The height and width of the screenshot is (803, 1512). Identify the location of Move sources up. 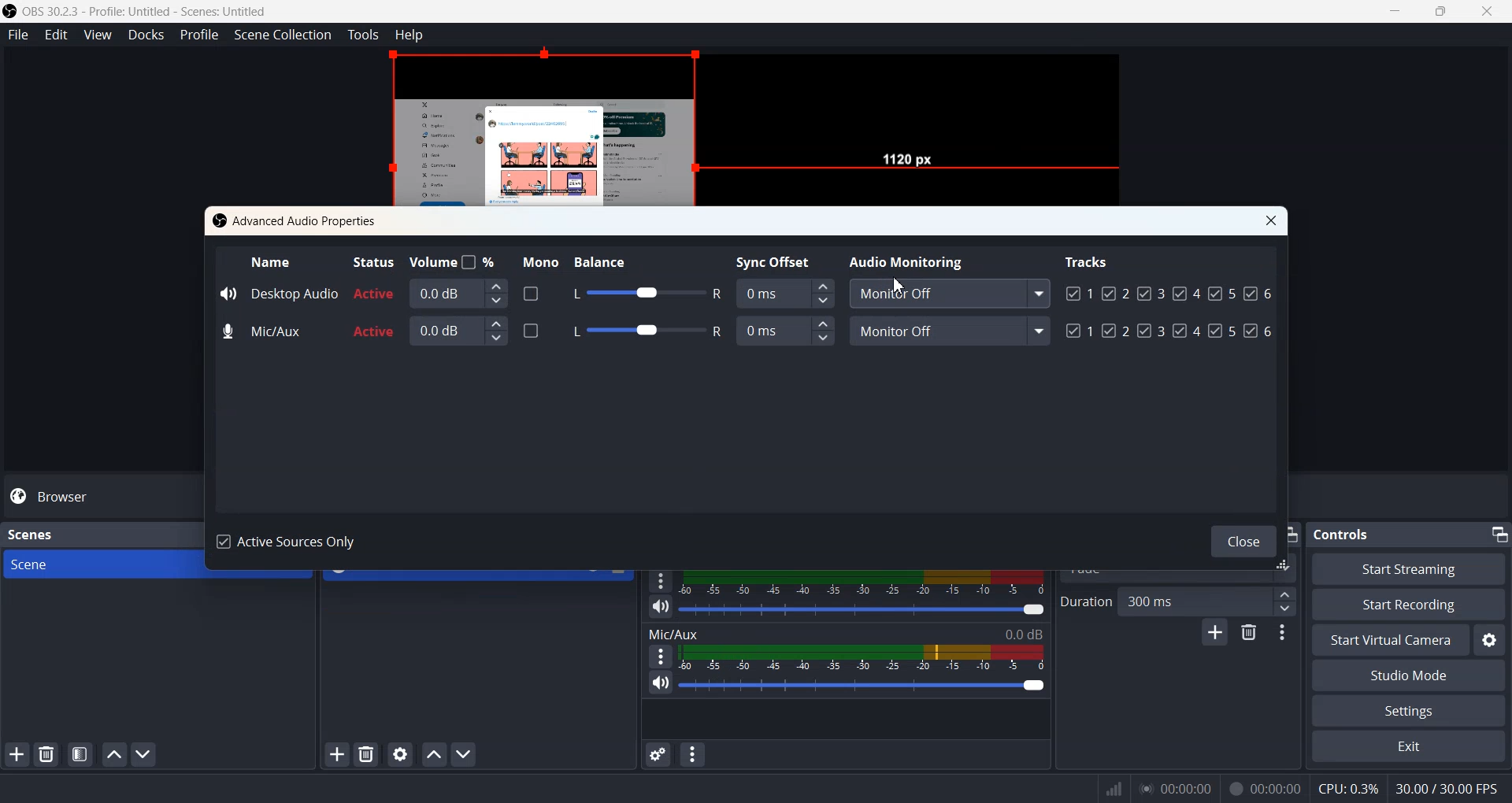
(434, 754).